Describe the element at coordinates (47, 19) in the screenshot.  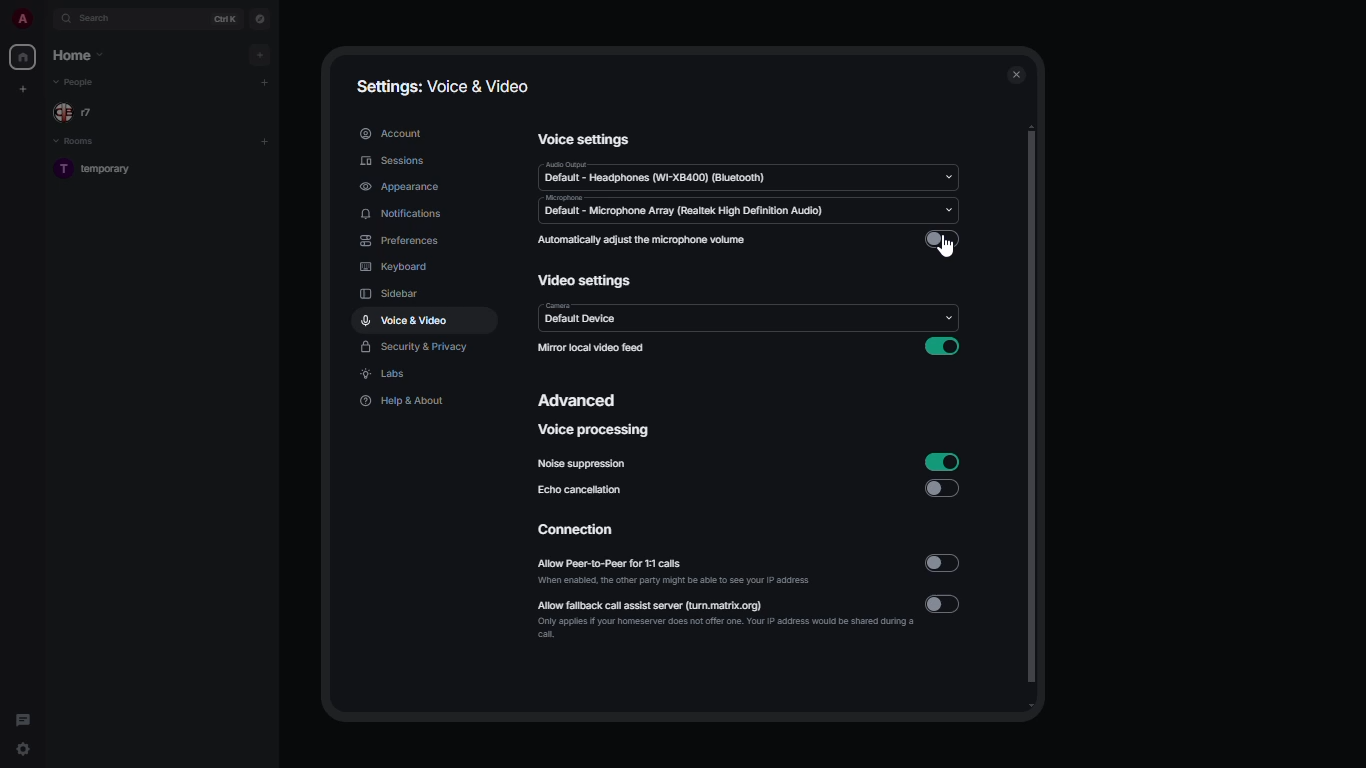
I see `expand` at that location.